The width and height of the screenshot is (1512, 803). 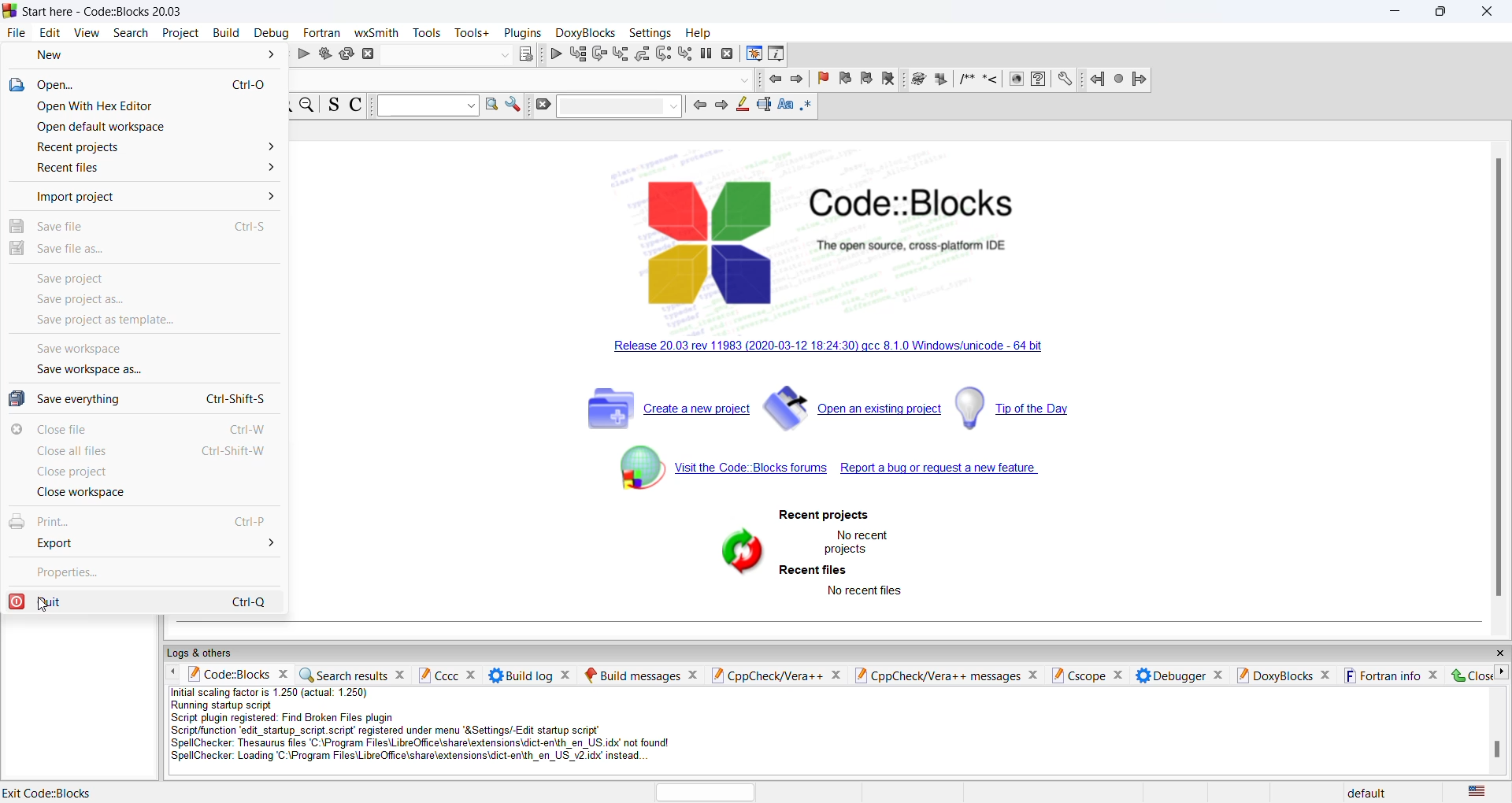 What do you see at coordinates (797, 80) in the screenshot?
I see `jump forward` at bounding box center [797, 80].